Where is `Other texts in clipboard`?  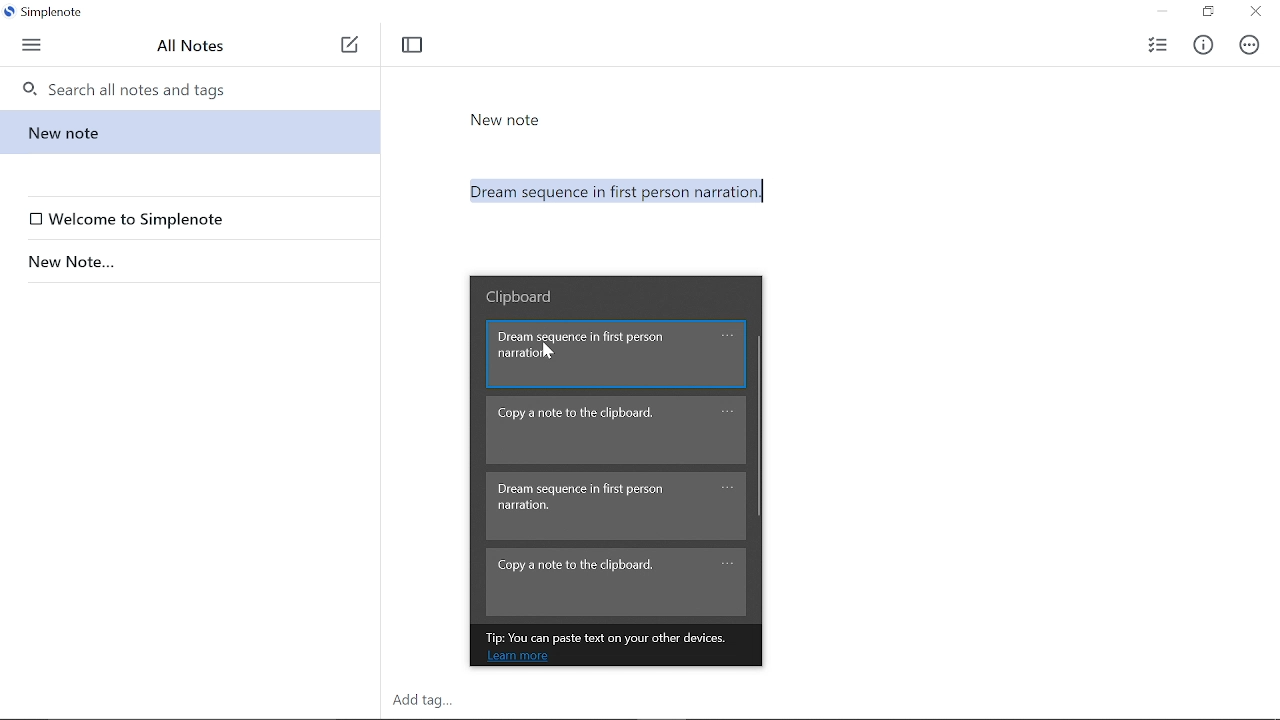 Other texts in clipboard is located at coordinates (615, 508).